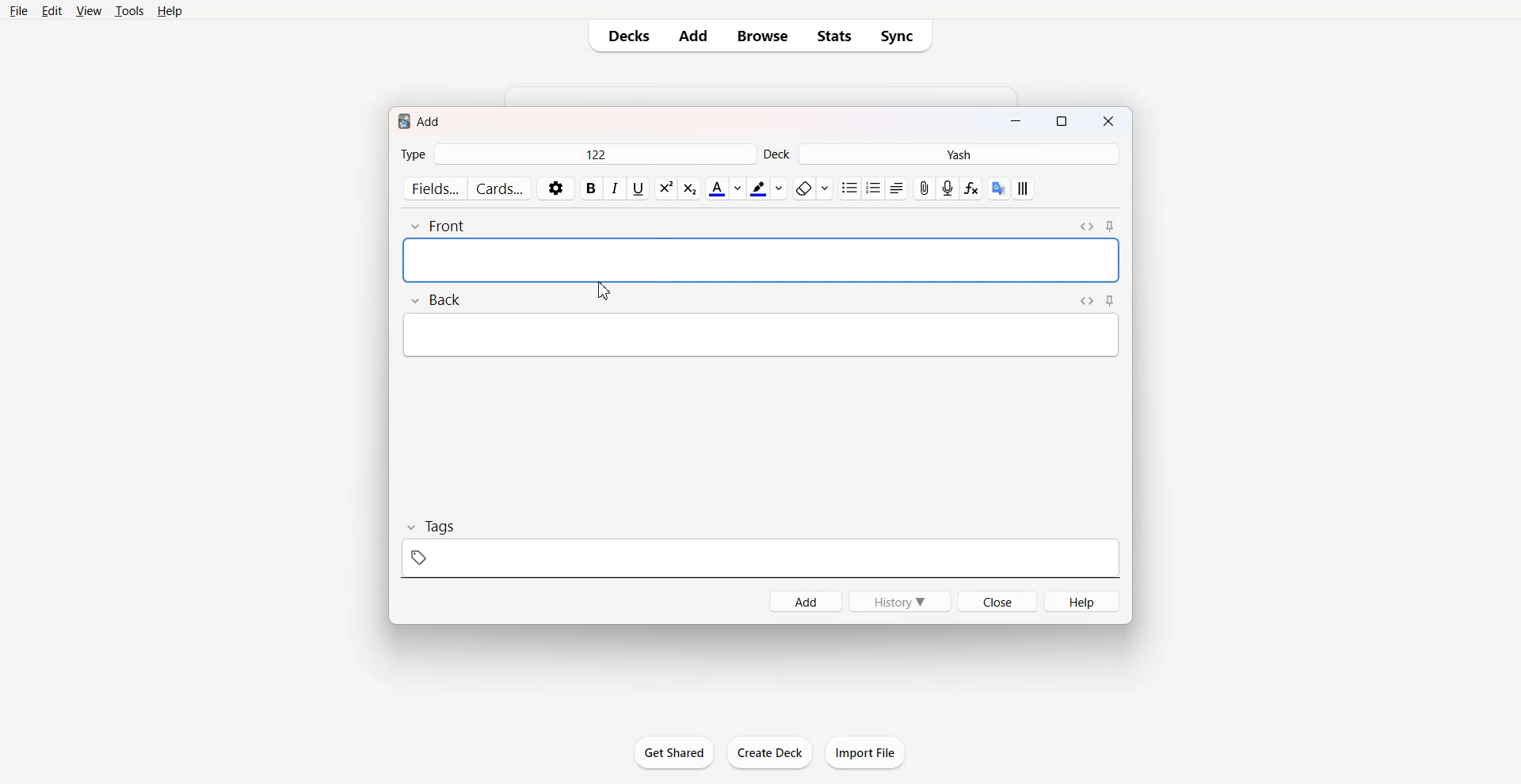  Describe the element at coordinates (896, 188) in the screenshot. I see `Alignment` at that location.